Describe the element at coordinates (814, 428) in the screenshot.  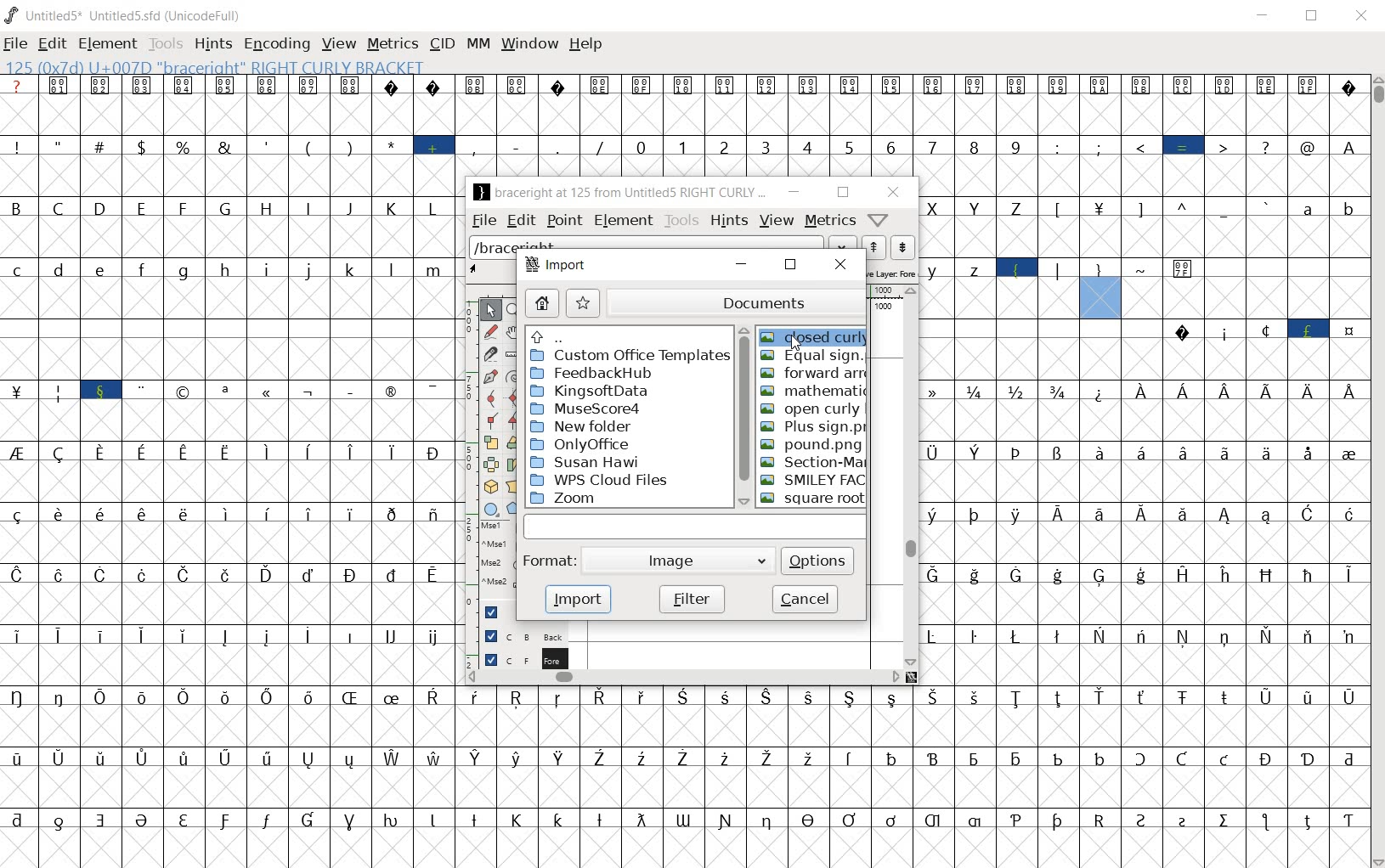
I see `plus sign` at that location.